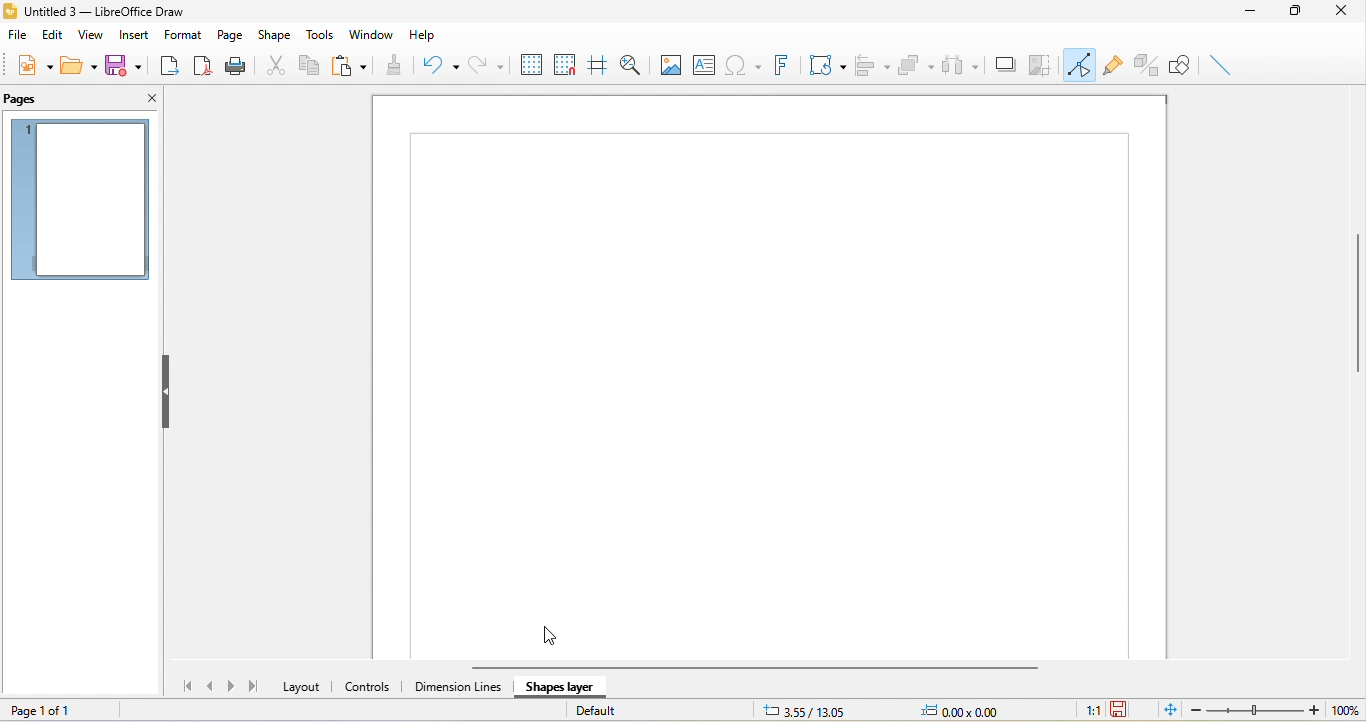 Image resolution: width=1366 pixels, height=722 pixels. What do you see at coordinates (806, 710) in the screenshot?
I see `3.55/13.05` at bounding box center [806, 710].